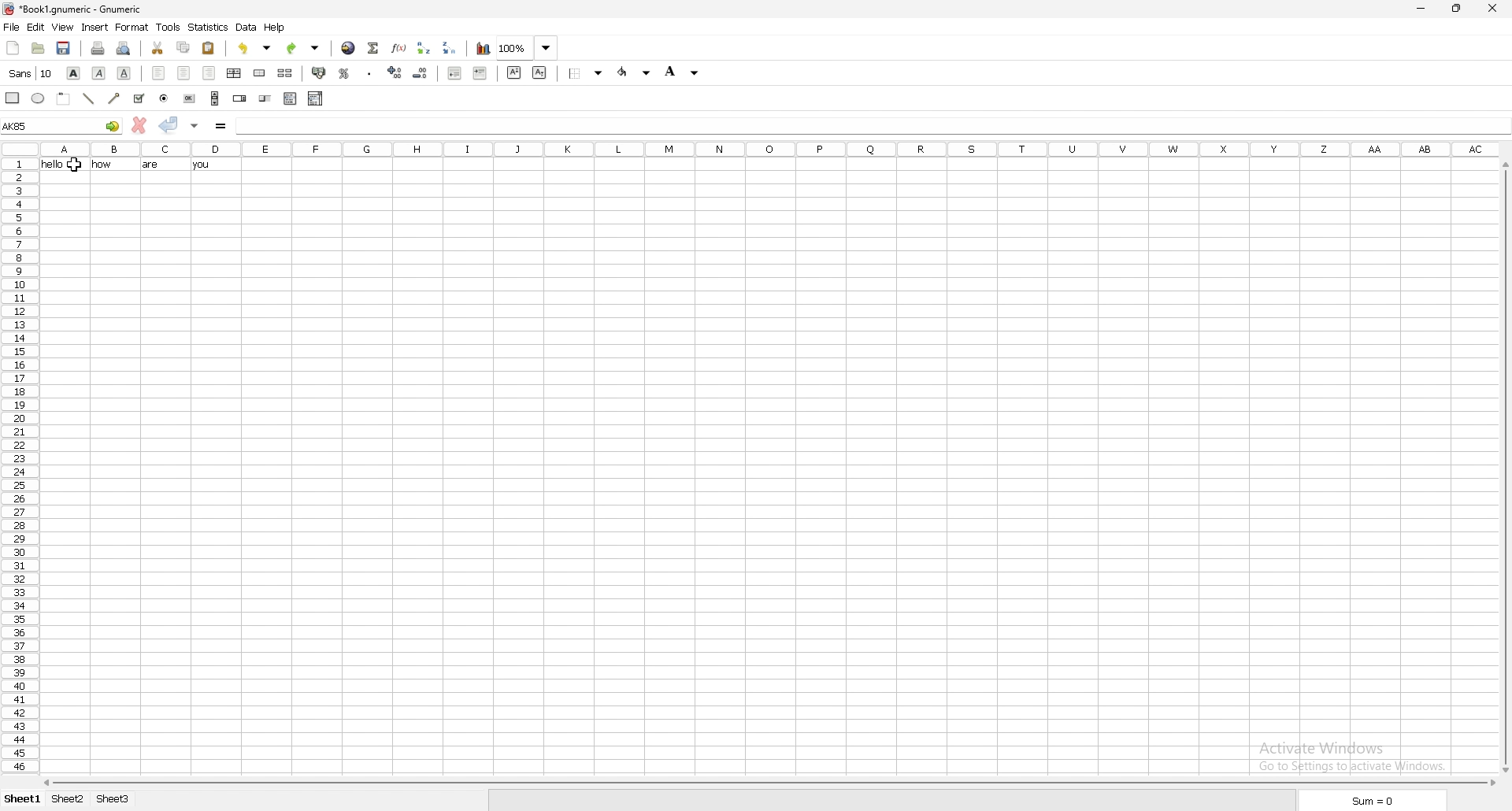 This screenshot has height=811, width=1512. What do you see at coordinates (163, 98) in the screenshot?
I see `radio button` at bounding box center [163, 98].